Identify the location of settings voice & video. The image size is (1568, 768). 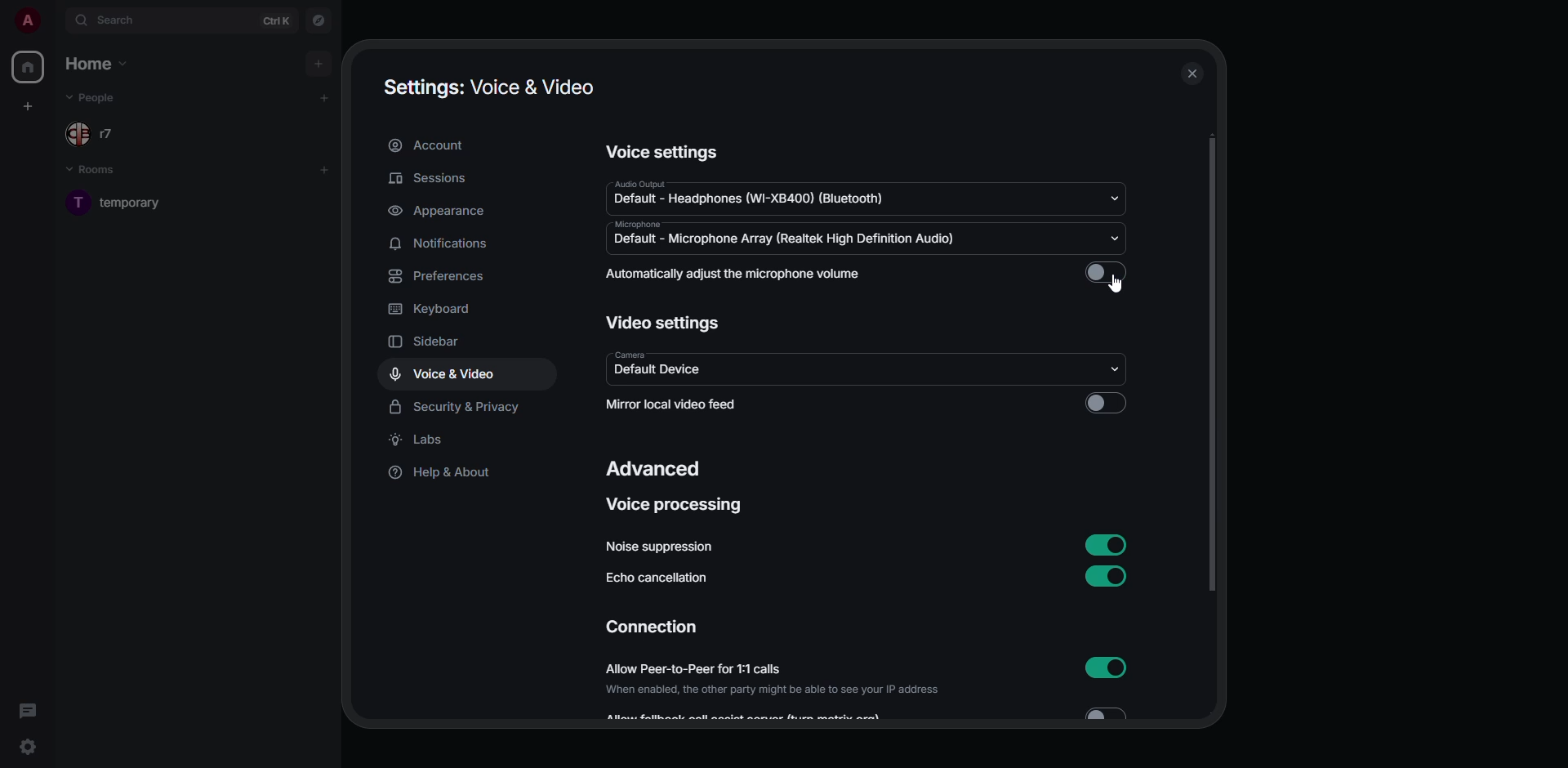
(487, 86).